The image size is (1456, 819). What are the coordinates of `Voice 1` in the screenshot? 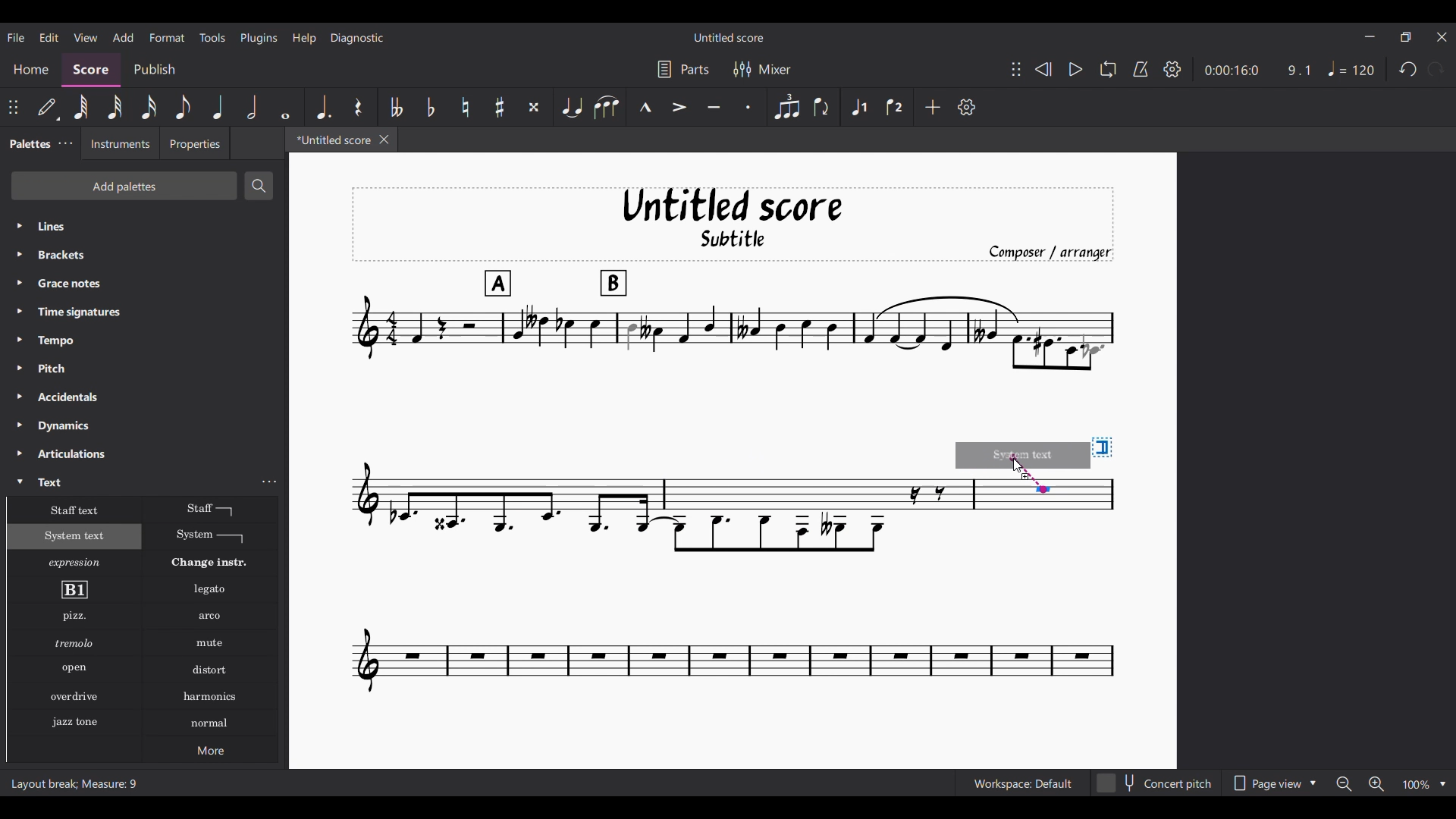 It's located at (858, 107).